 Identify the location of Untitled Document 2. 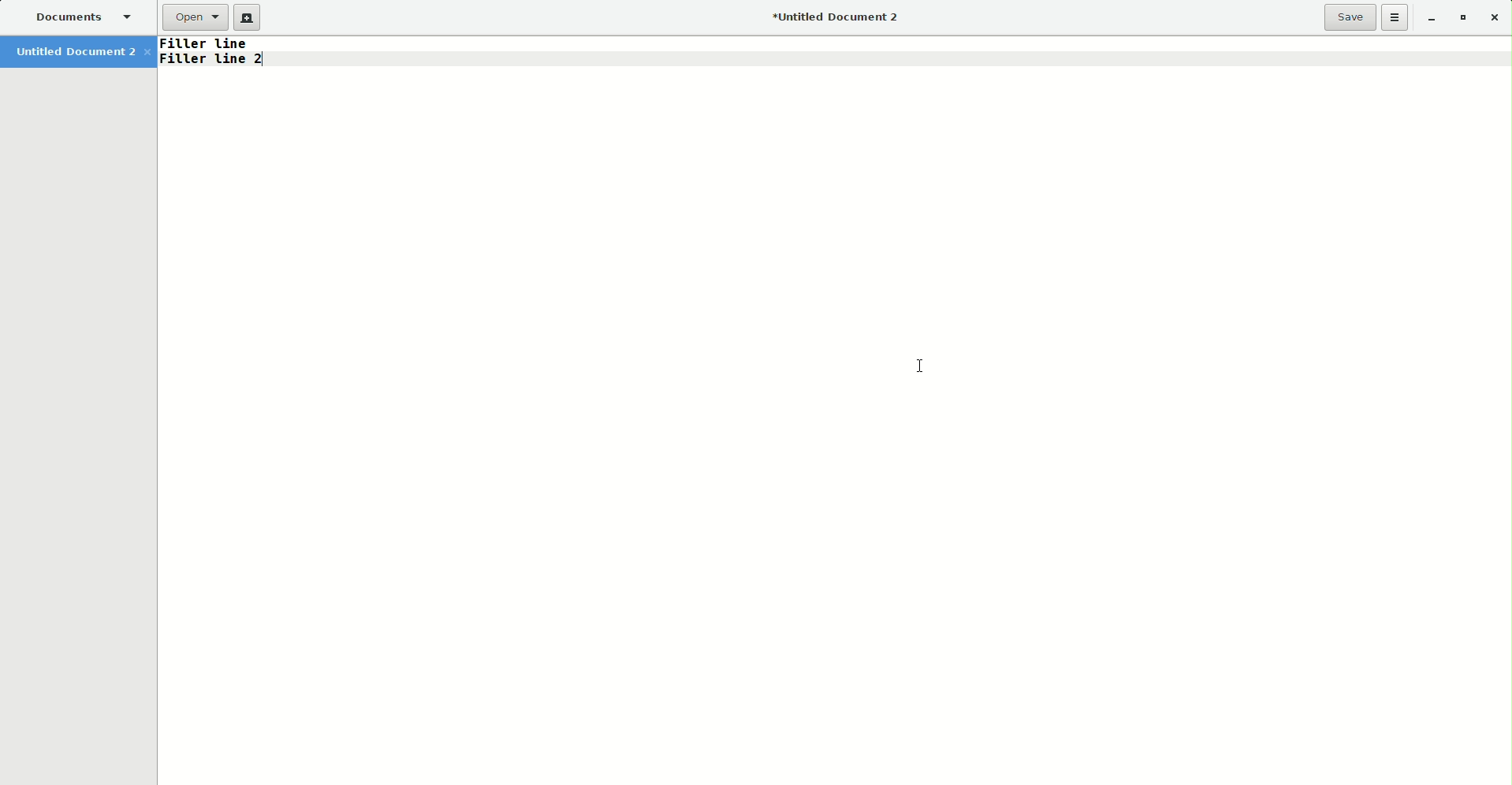
(82, 54).